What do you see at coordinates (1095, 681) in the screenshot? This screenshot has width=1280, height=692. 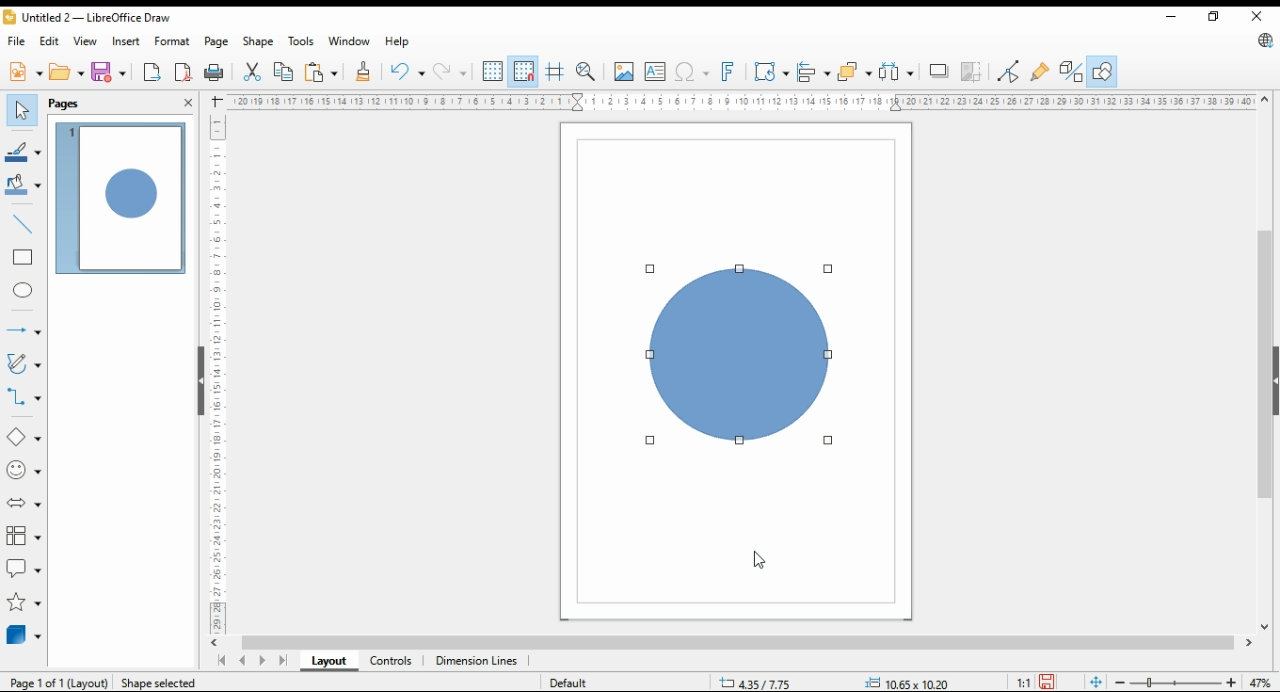 I see `fit page to window` at bounding box center [1095, 681].